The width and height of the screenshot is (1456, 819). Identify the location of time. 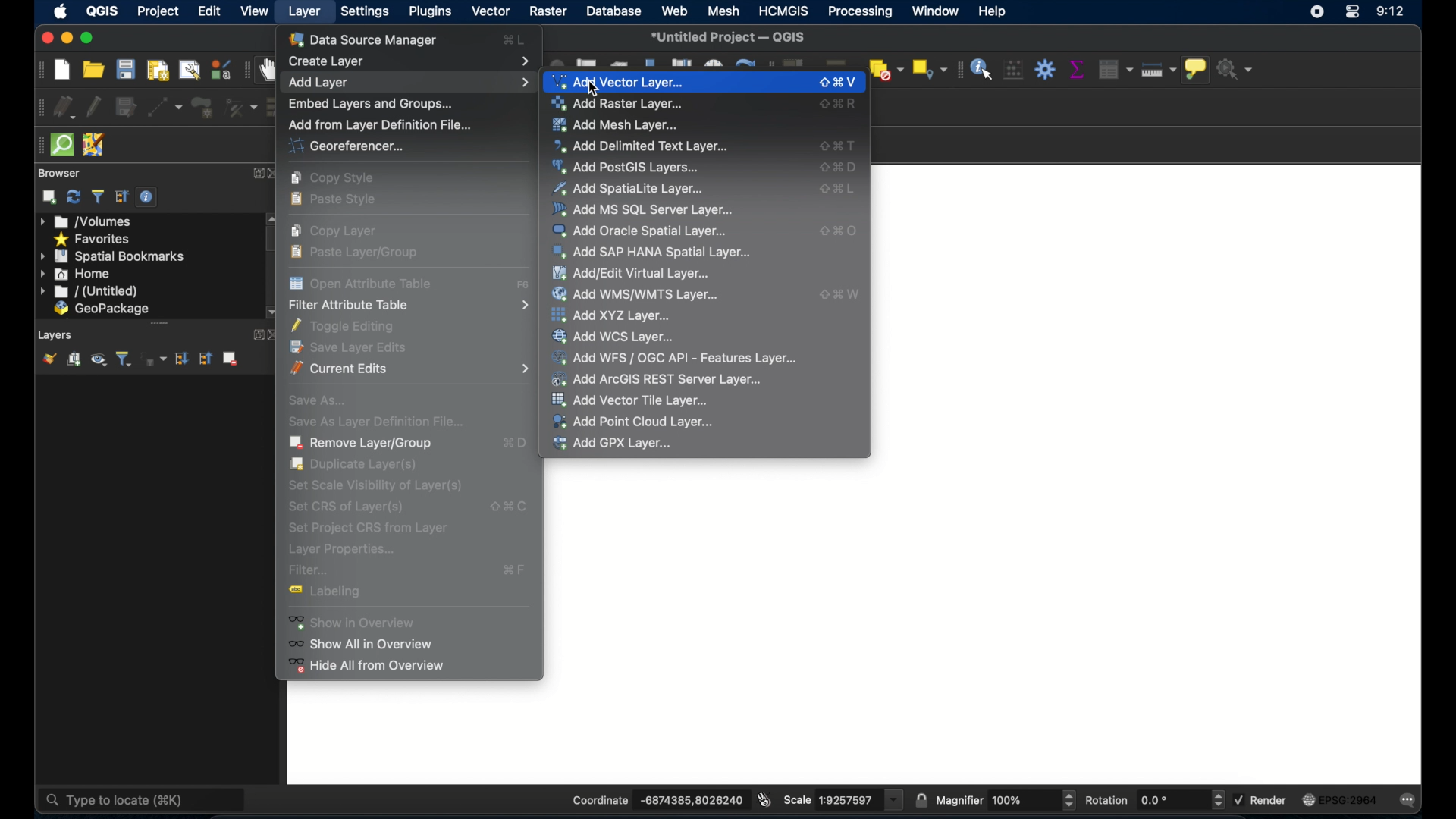
(1392, 12).